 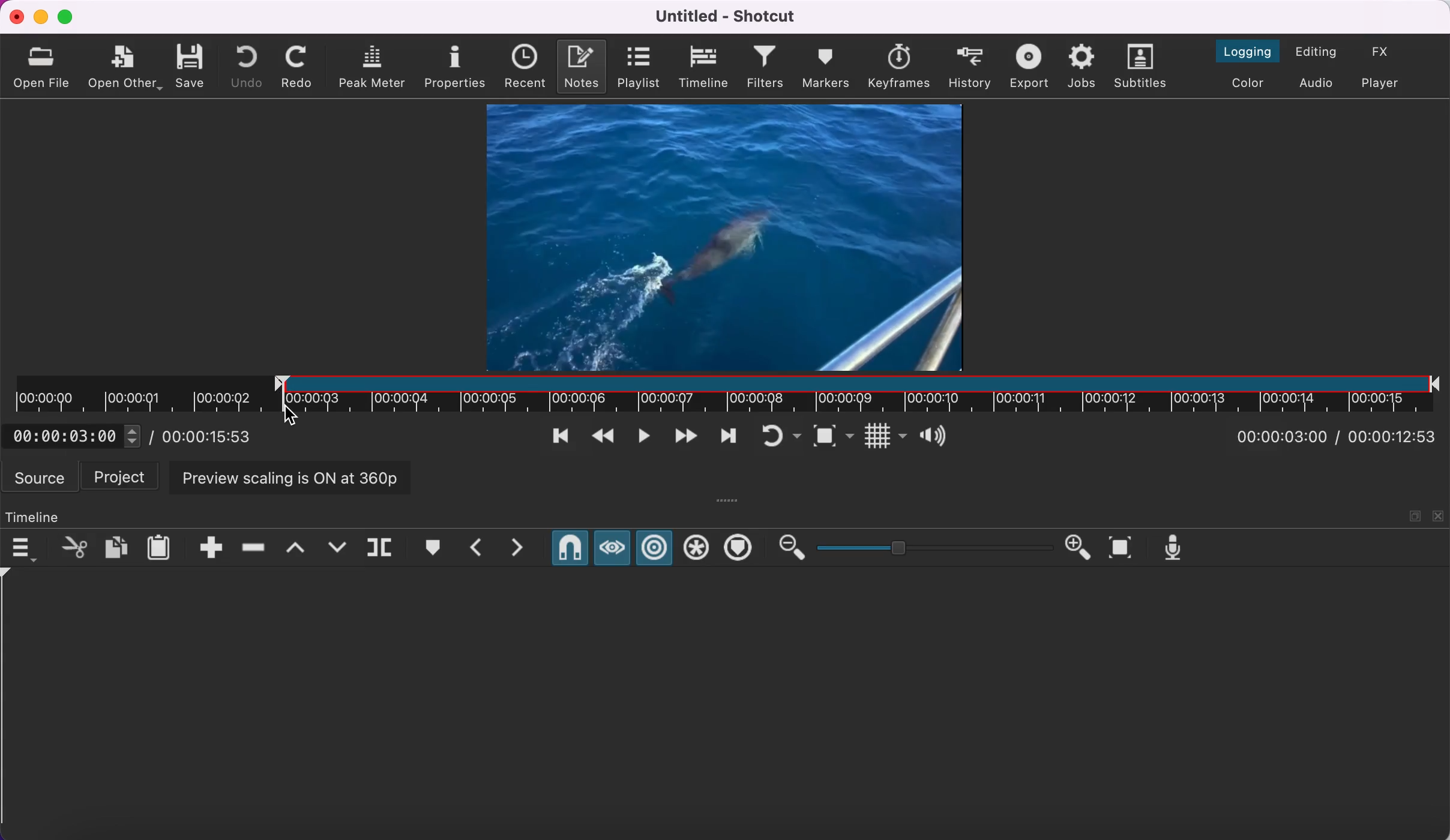 What do you see at coordinates (970, 64) in the screenshot?
I see `history` at bounding box center [970, 64].